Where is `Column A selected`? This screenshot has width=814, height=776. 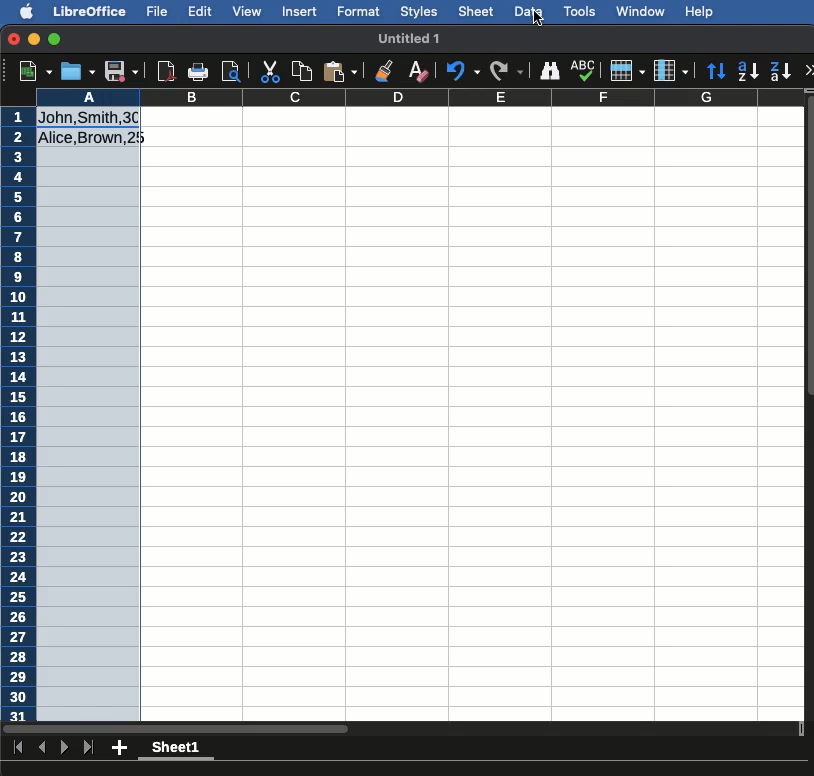 Column A selected is located at coordinates (88, 404).